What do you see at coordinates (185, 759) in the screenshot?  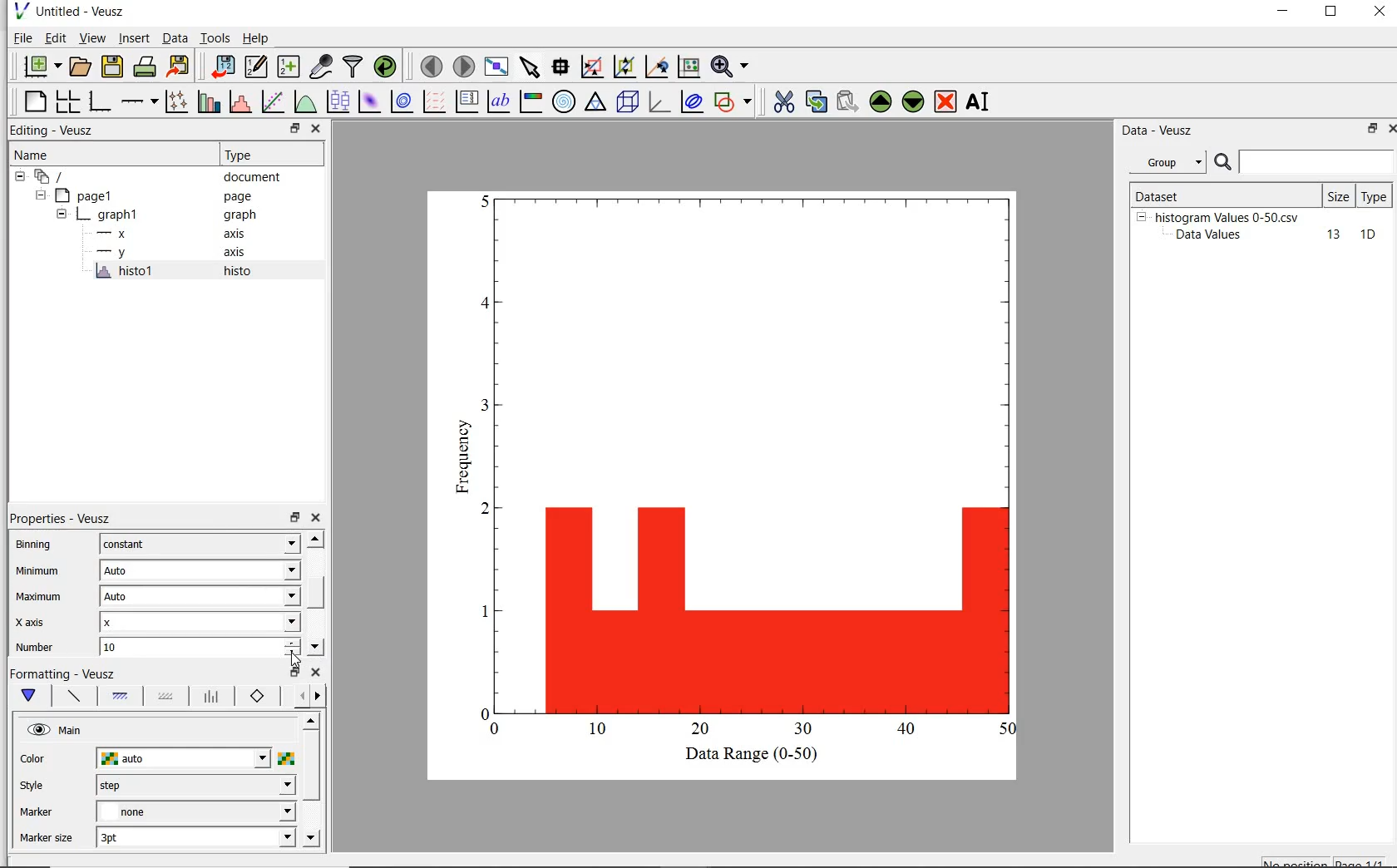 I see ` auto ` at bounding box center [185, 759].